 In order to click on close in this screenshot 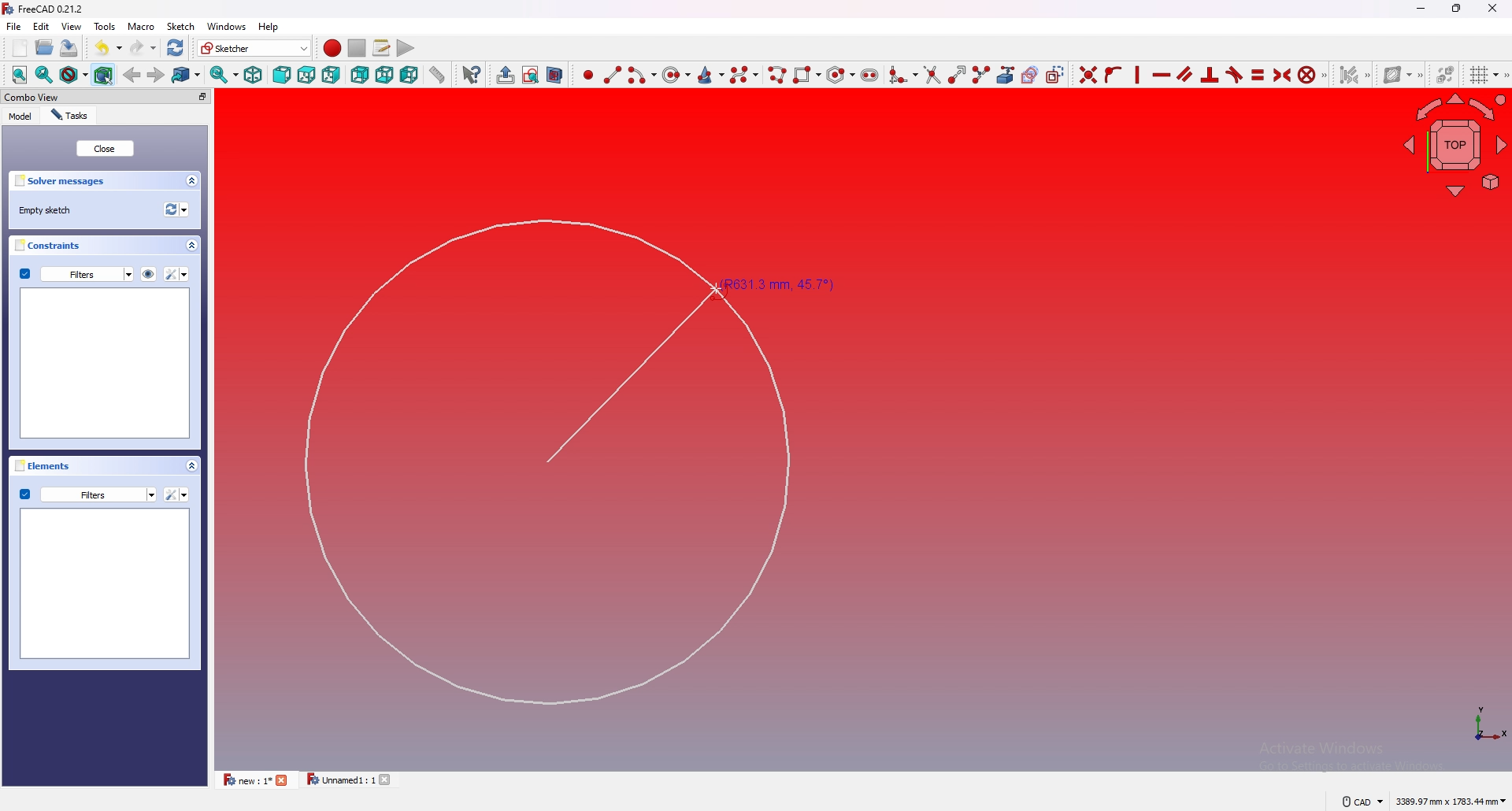, I will do `click(388, 780)`.